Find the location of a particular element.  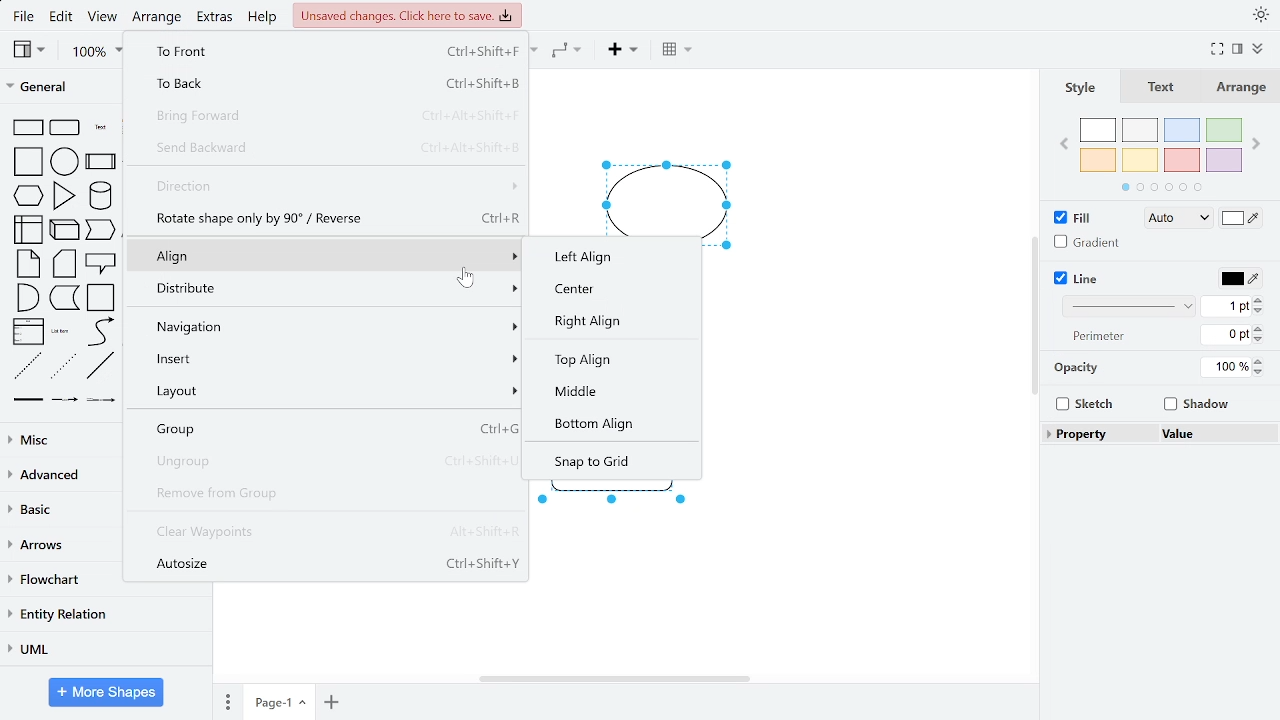

full screen is located at coordinates (1216, 50).